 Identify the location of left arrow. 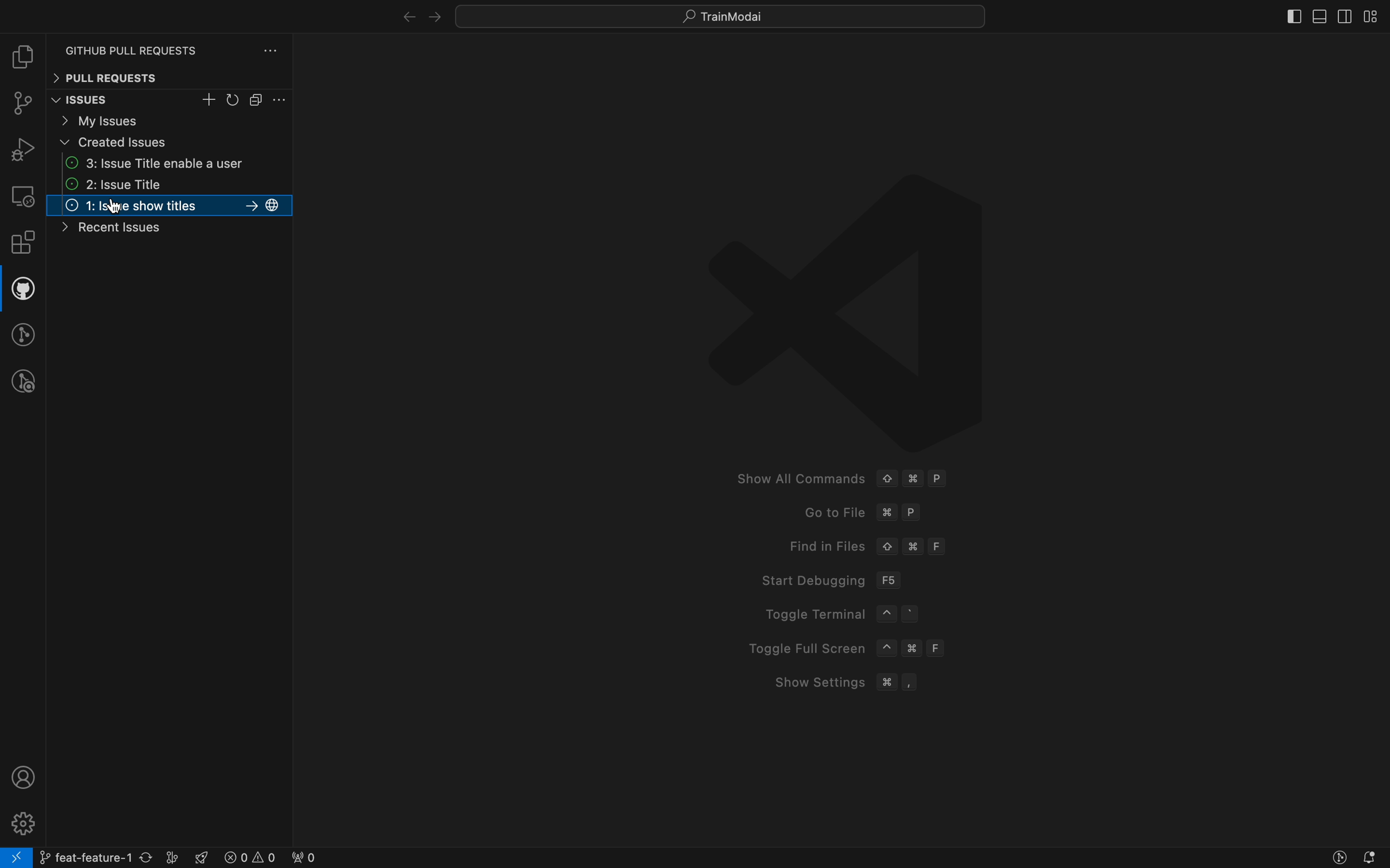
(434, 15).